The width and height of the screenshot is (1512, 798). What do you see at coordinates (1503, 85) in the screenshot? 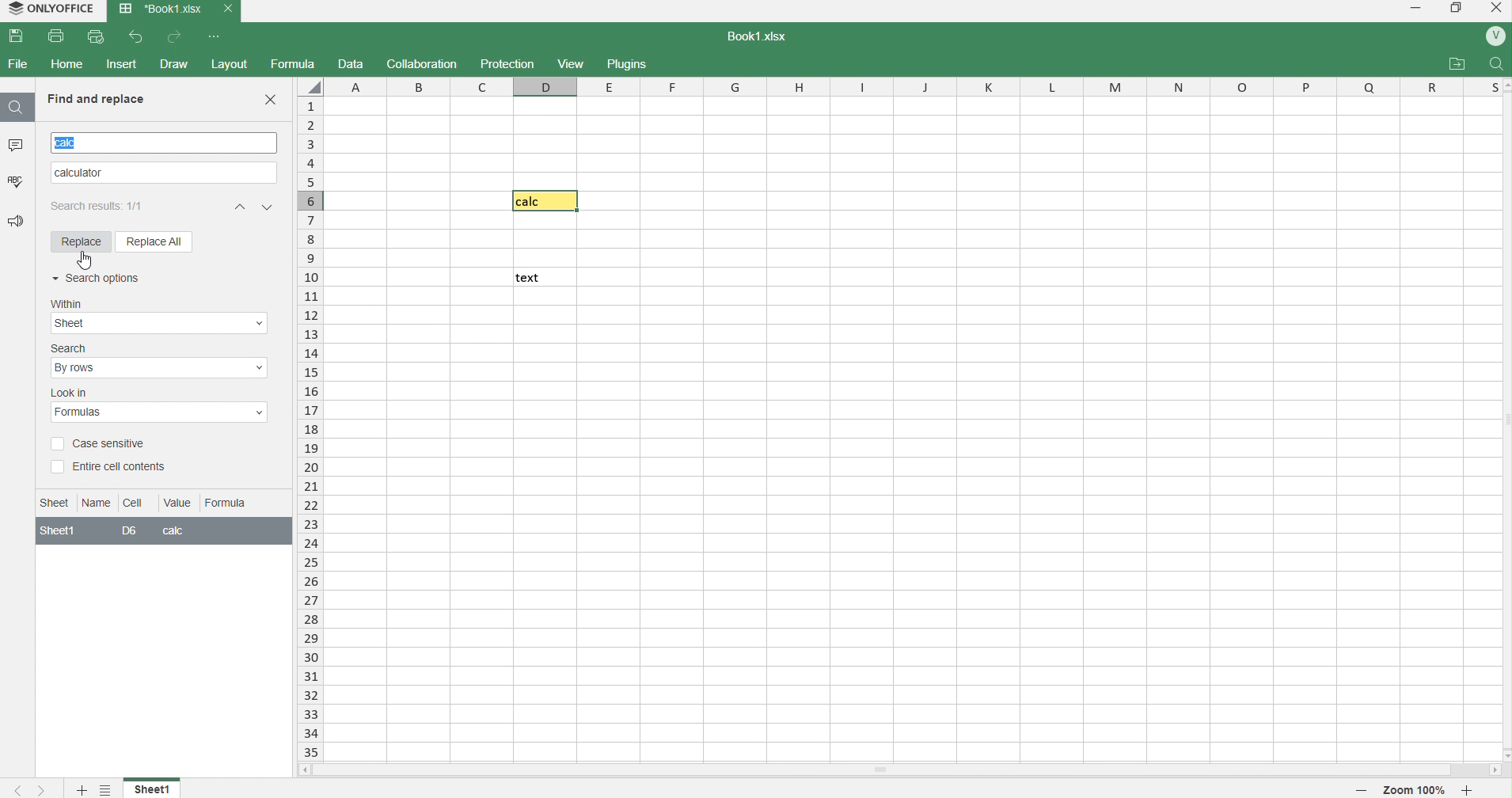
I see `move up` at bounding box center [1503, 85].